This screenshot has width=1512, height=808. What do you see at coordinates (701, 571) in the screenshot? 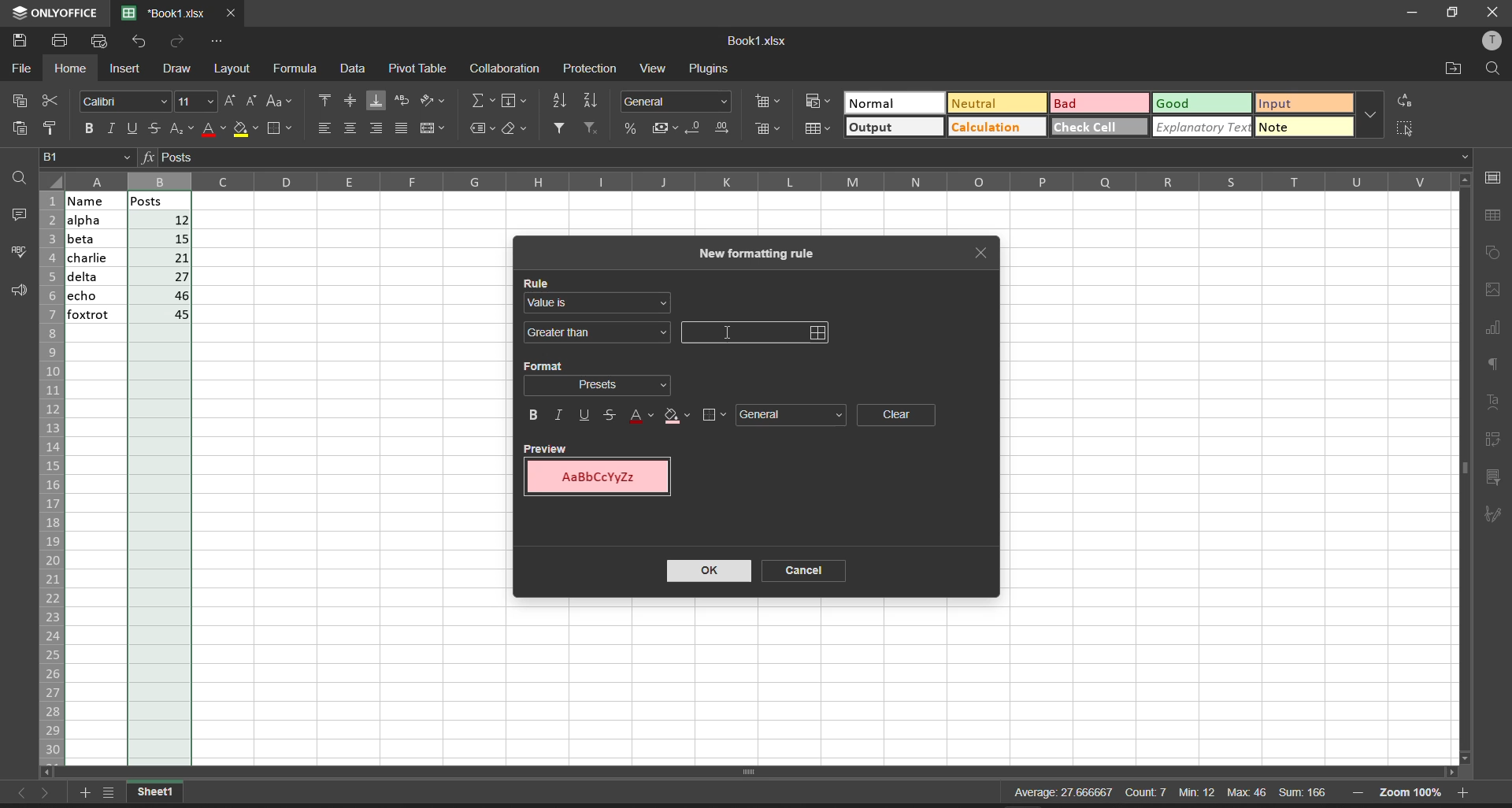
I see `ok` at bounding box center [701, 571].